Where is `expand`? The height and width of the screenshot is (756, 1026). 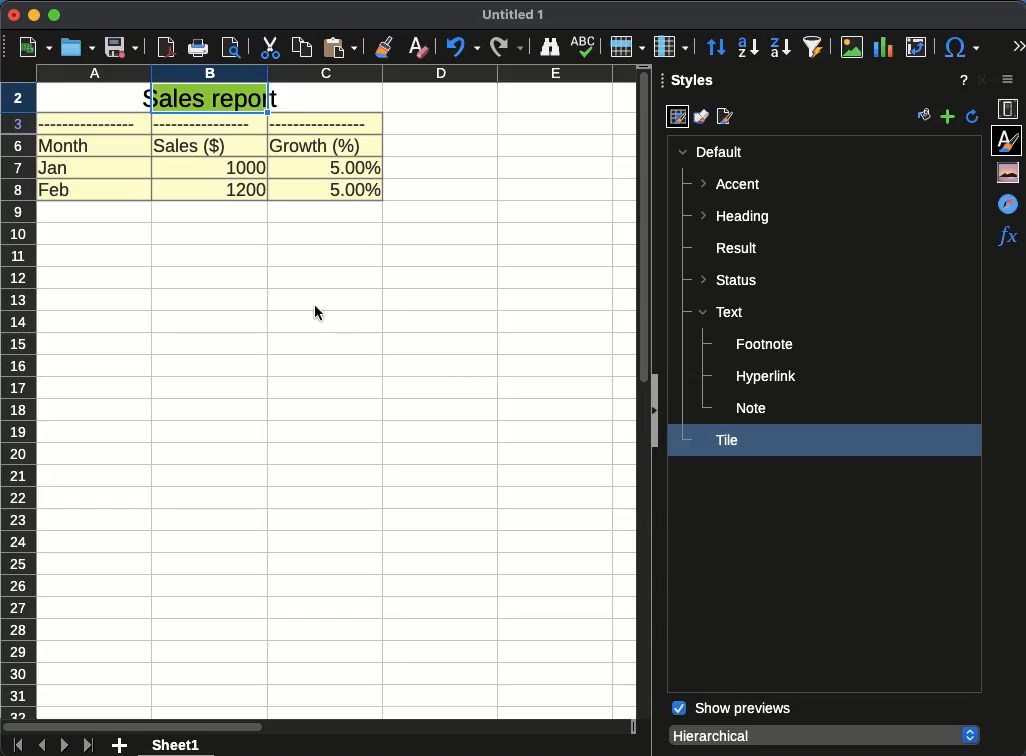 expand is located at coordinates (651, 413).